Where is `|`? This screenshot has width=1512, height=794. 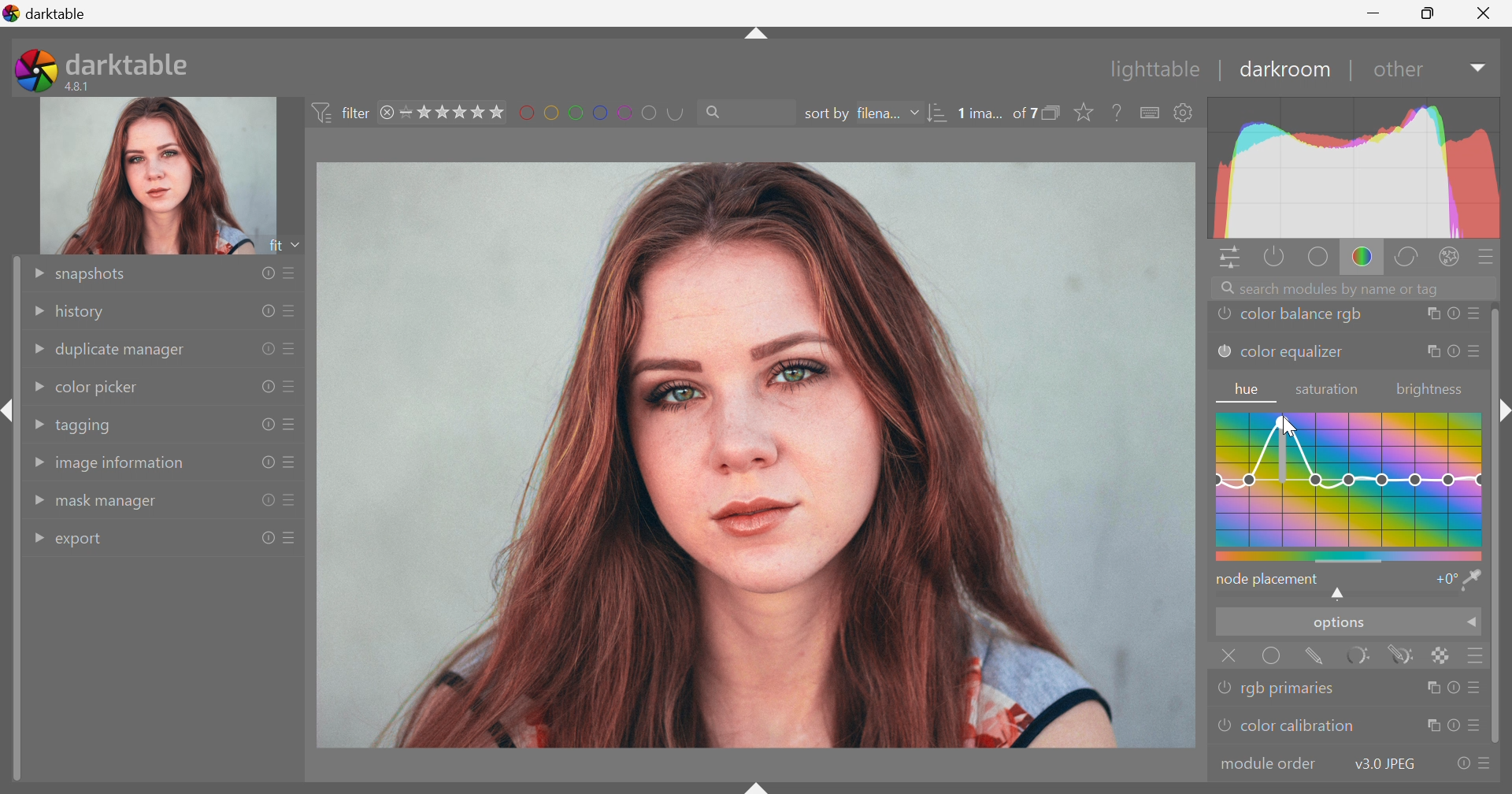 | is located at coordinates (1221, 69).